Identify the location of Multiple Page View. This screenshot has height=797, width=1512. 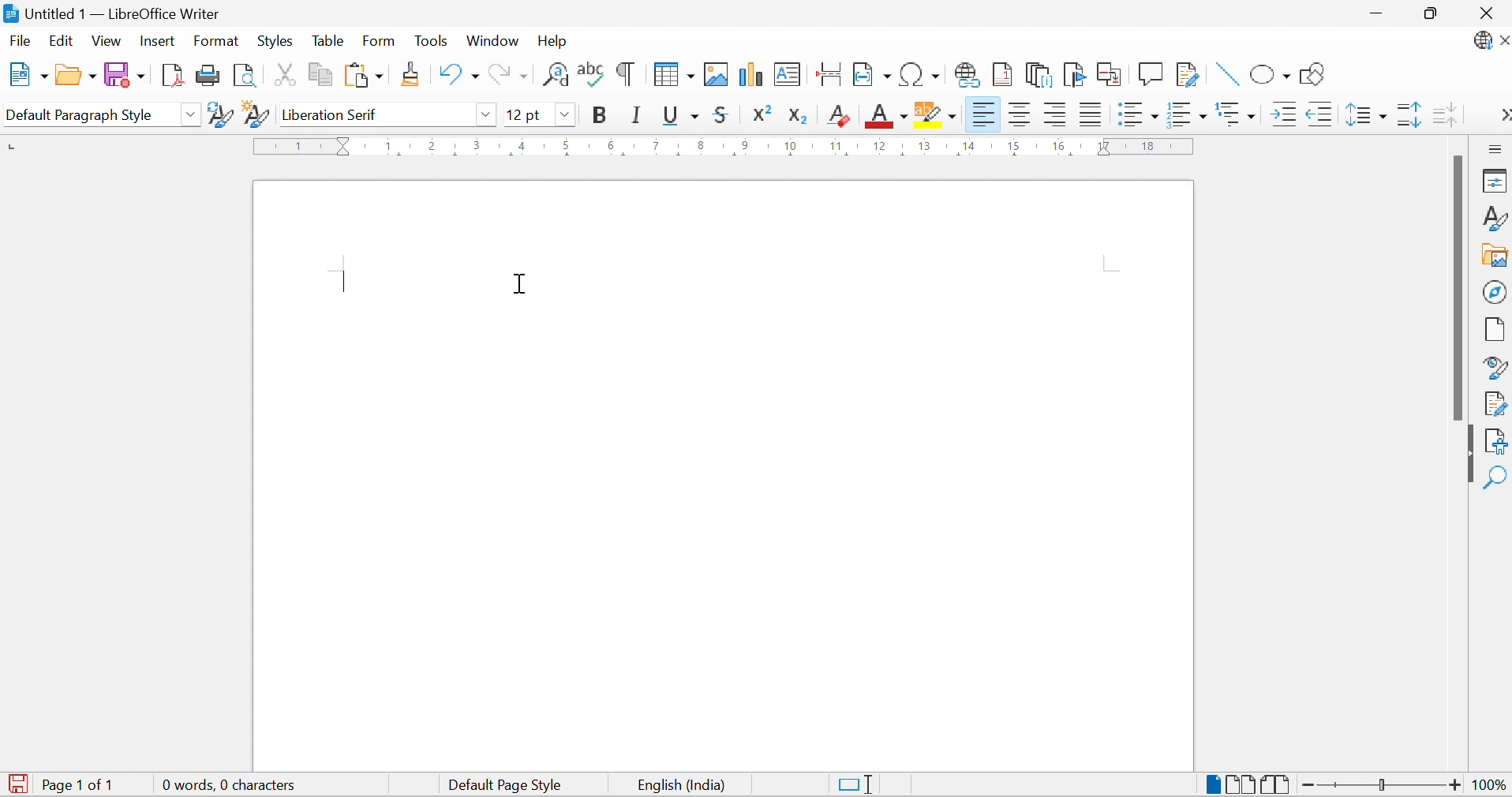
(1241, 783).